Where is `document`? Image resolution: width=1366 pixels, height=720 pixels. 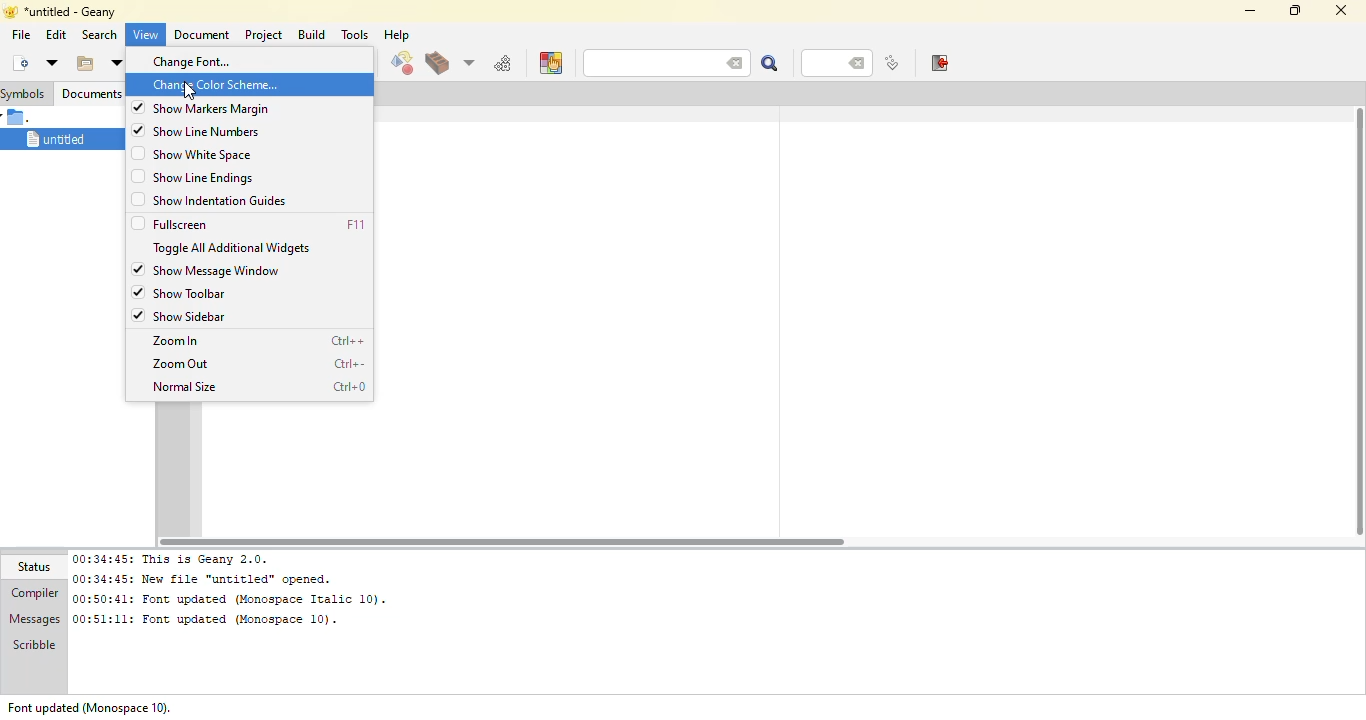
document is located at coordinates (199, 35).